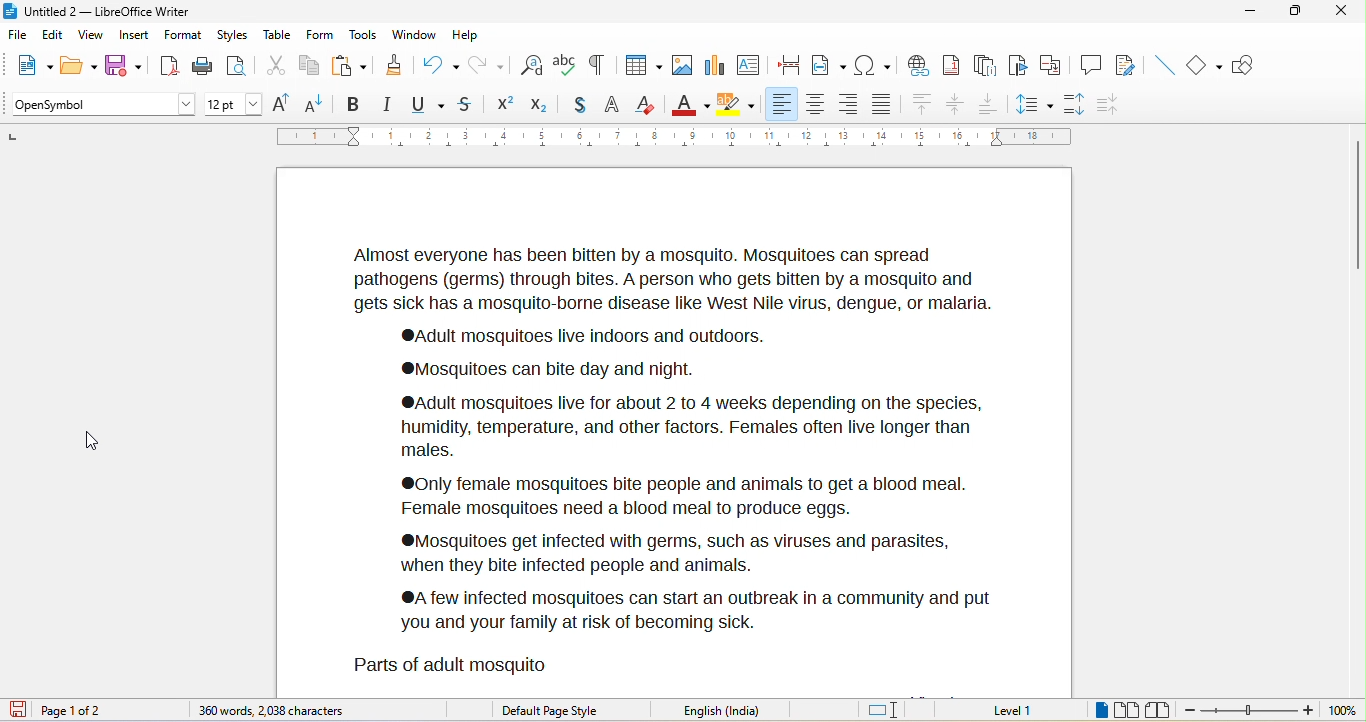 This screenshot has width=1366, height=722. What do you see at coordinates (91, 35) in the screenshot?
I see `view` at bounding box center [91, 35].